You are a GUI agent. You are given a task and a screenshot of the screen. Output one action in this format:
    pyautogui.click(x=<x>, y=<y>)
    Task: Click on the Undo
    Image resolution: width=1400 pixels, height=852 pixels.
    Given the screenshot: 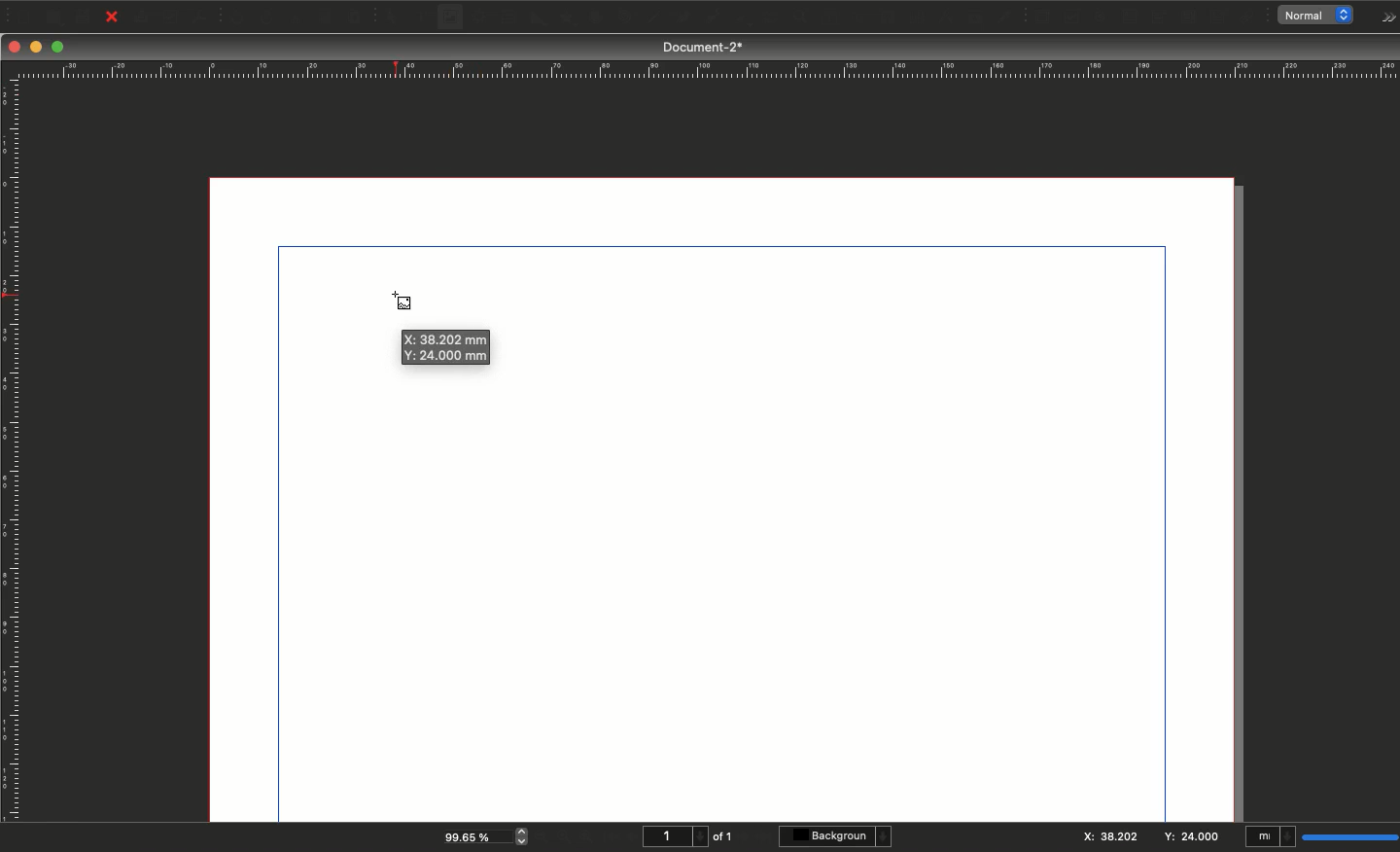 What is the action you would take?
    pyautogui.click(x=237, y=18)
    